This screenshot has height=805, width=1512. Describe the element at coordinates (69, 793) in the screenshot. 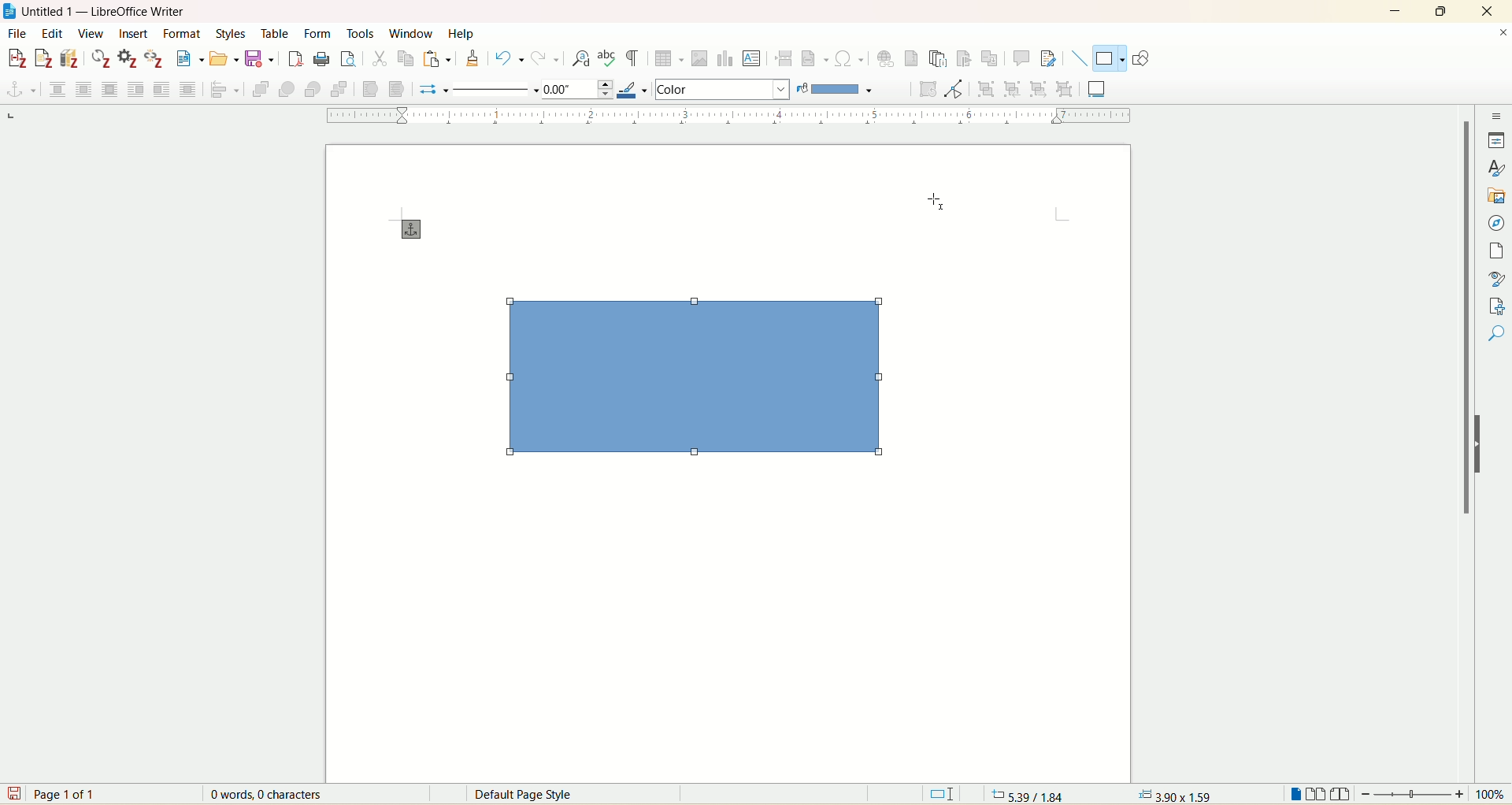

I see `page 1 of 1` at that location.